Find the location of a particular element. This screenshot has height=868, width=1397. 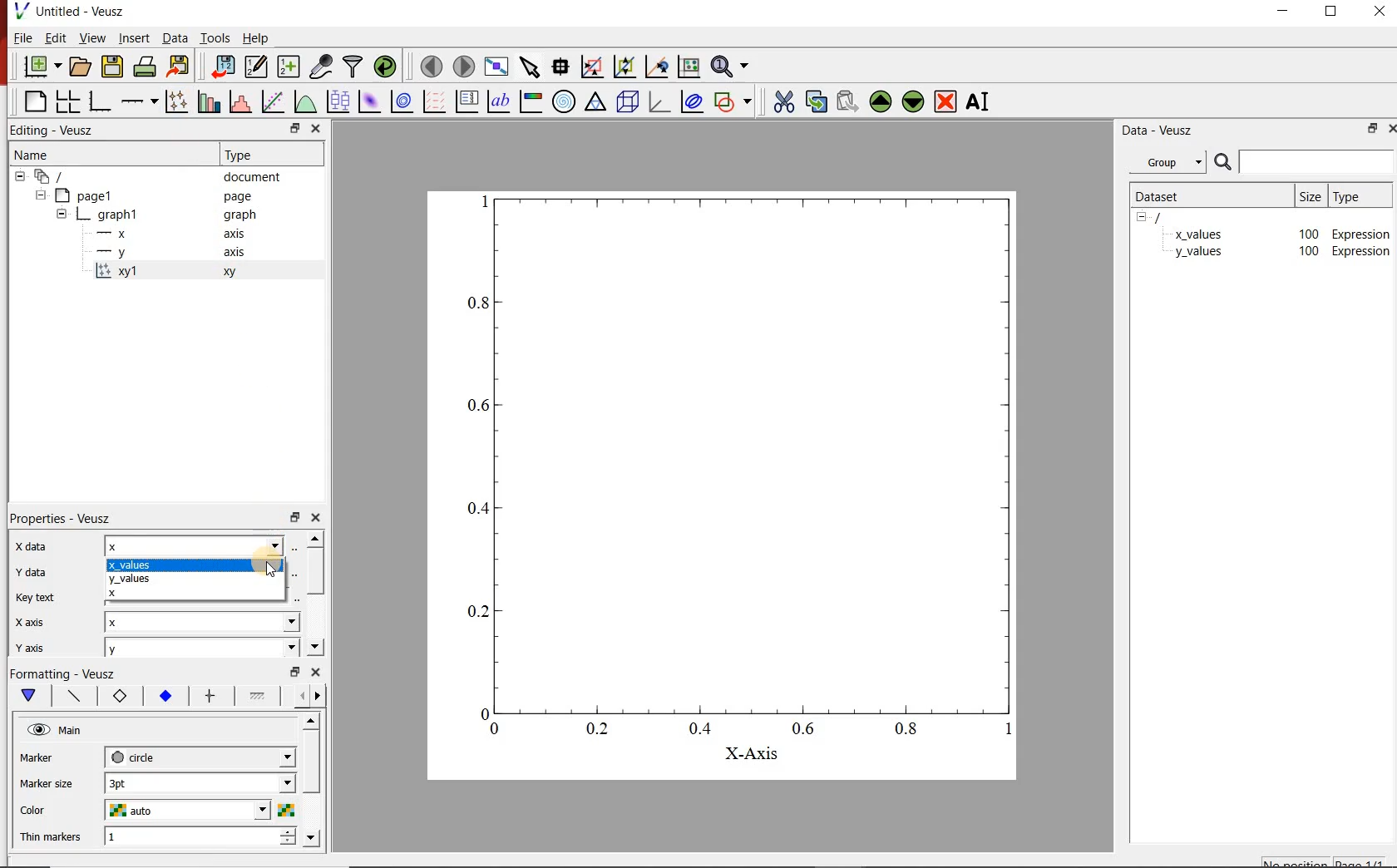

import data into veusz is located at coordinates (223, 67).